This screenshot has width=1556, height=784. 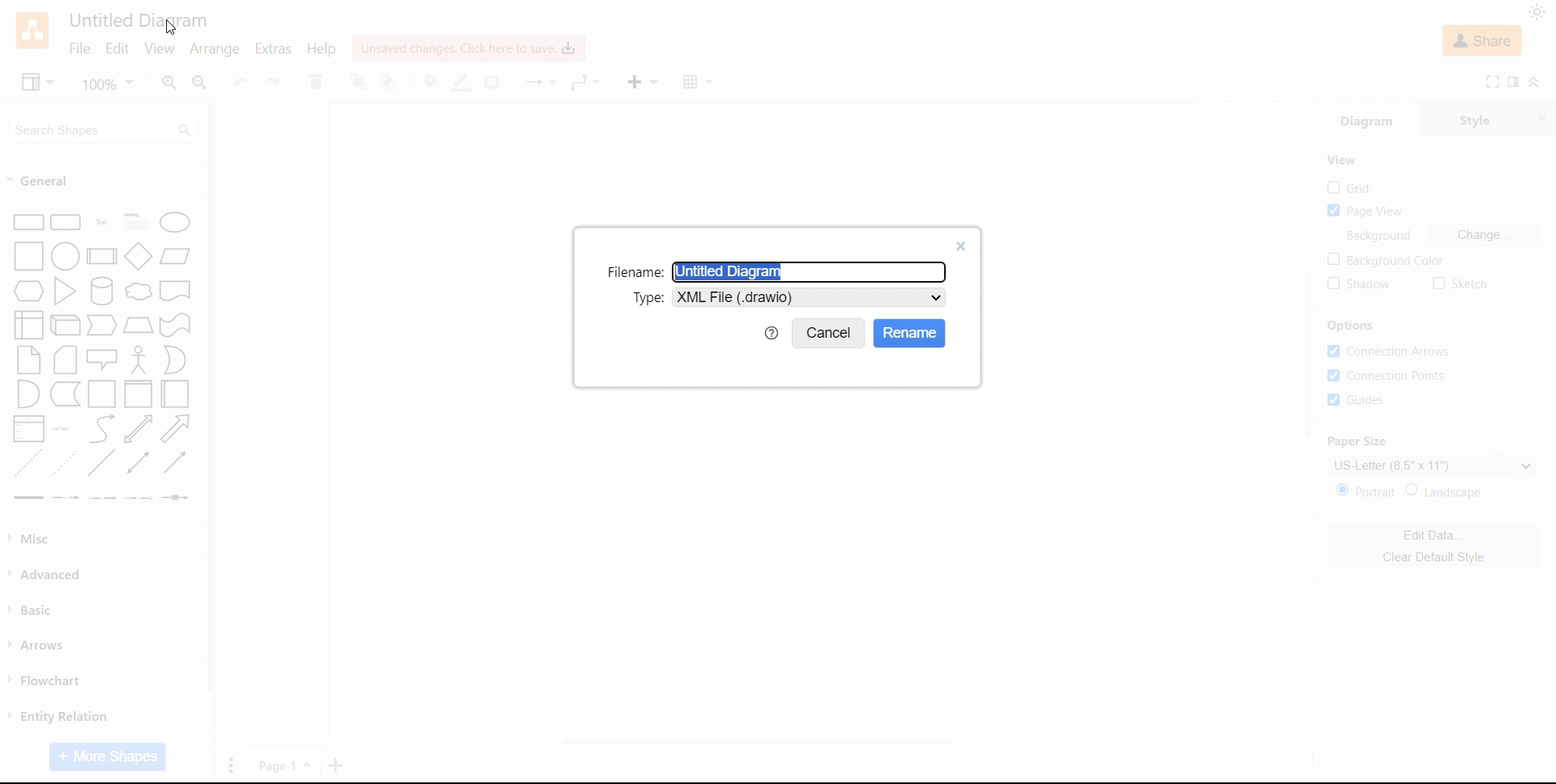 What do you see at coordinates (58, 716) in the screenshot?
I see `Entity relation ` at bounding box center [58, 716].